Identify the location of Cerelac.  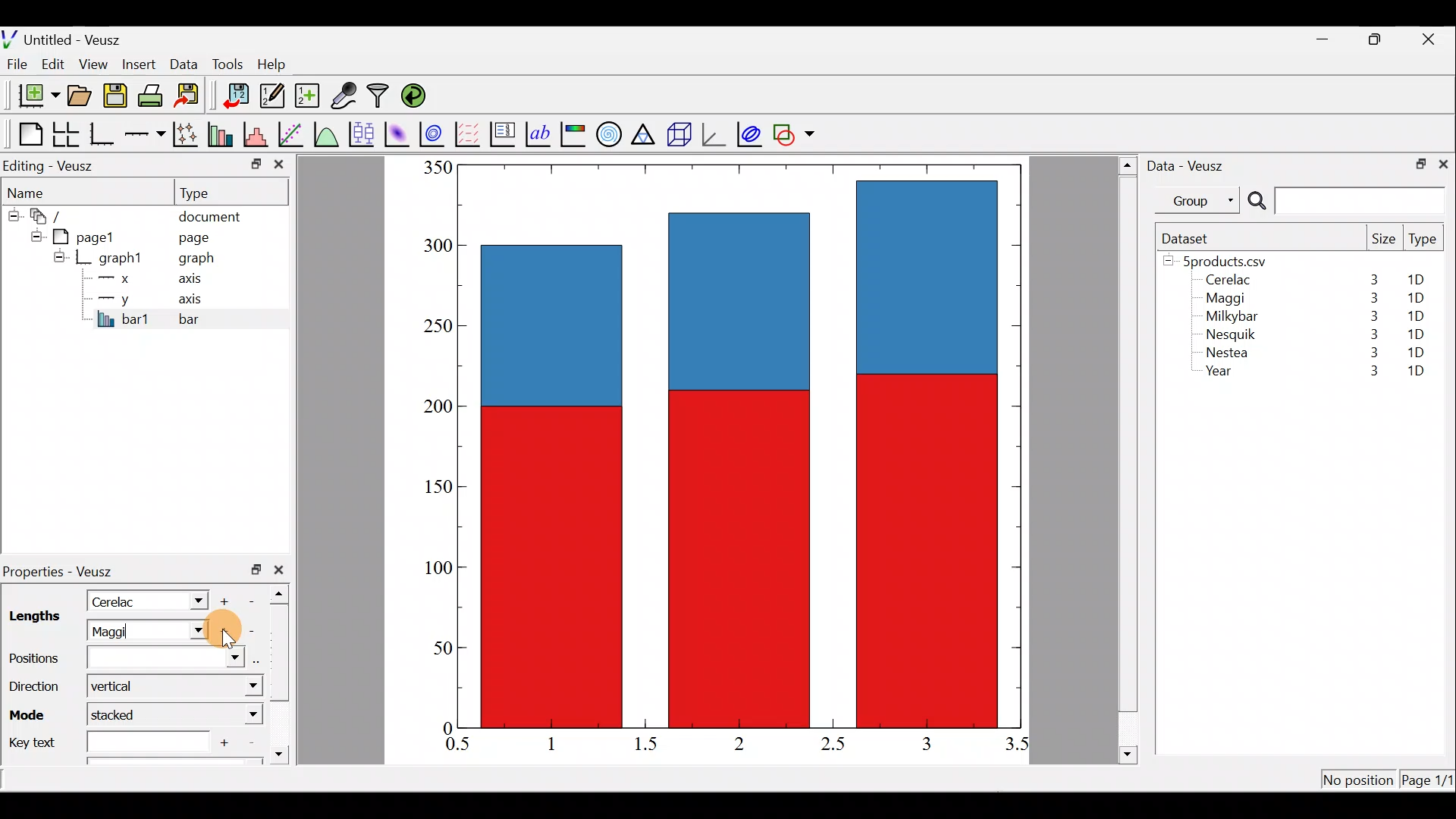
(118, 600).